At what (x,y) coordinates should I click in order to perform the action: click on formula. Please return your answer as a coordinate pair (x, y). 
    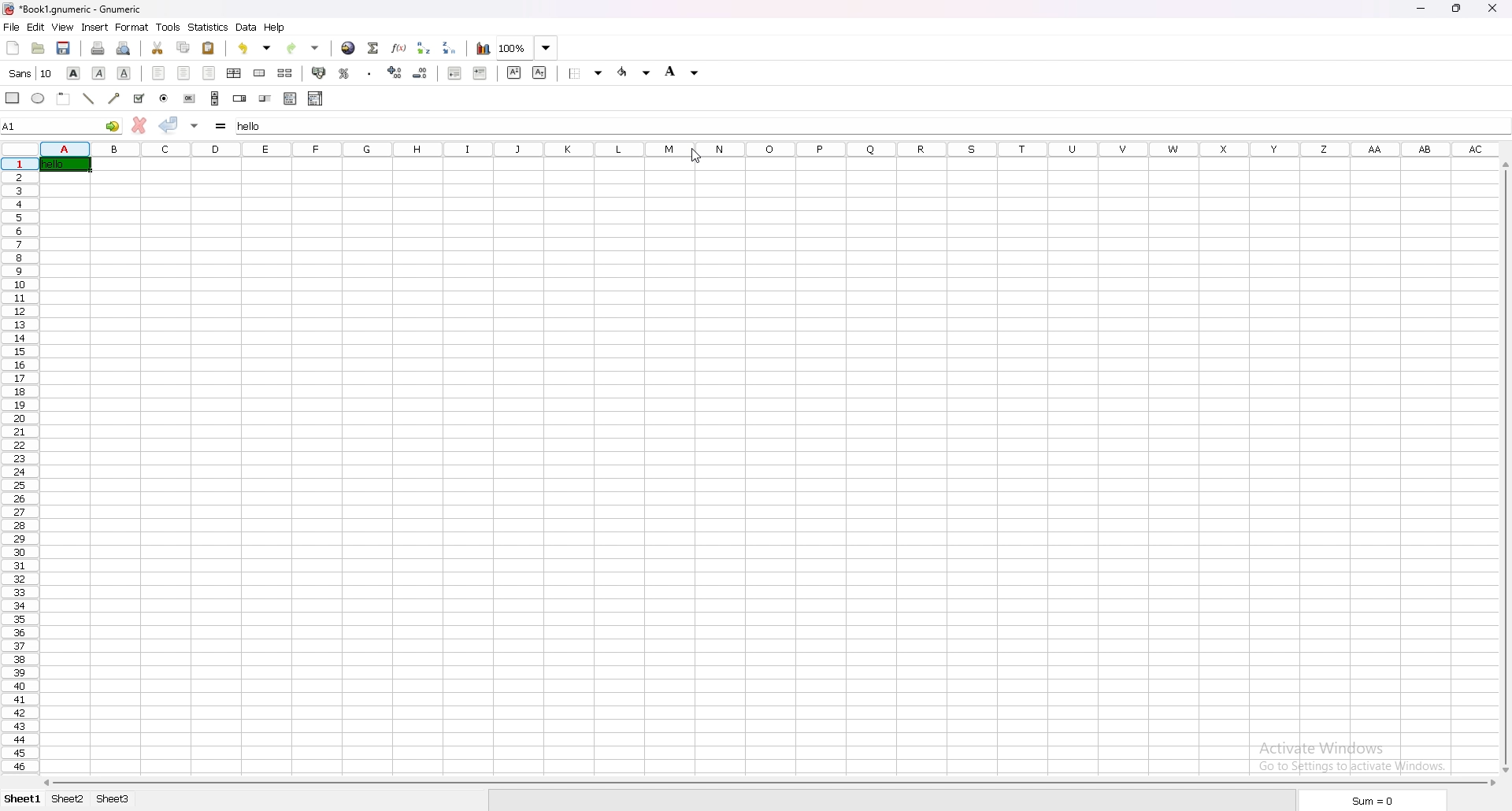
    Looking at the image, I should click on (222, 124).